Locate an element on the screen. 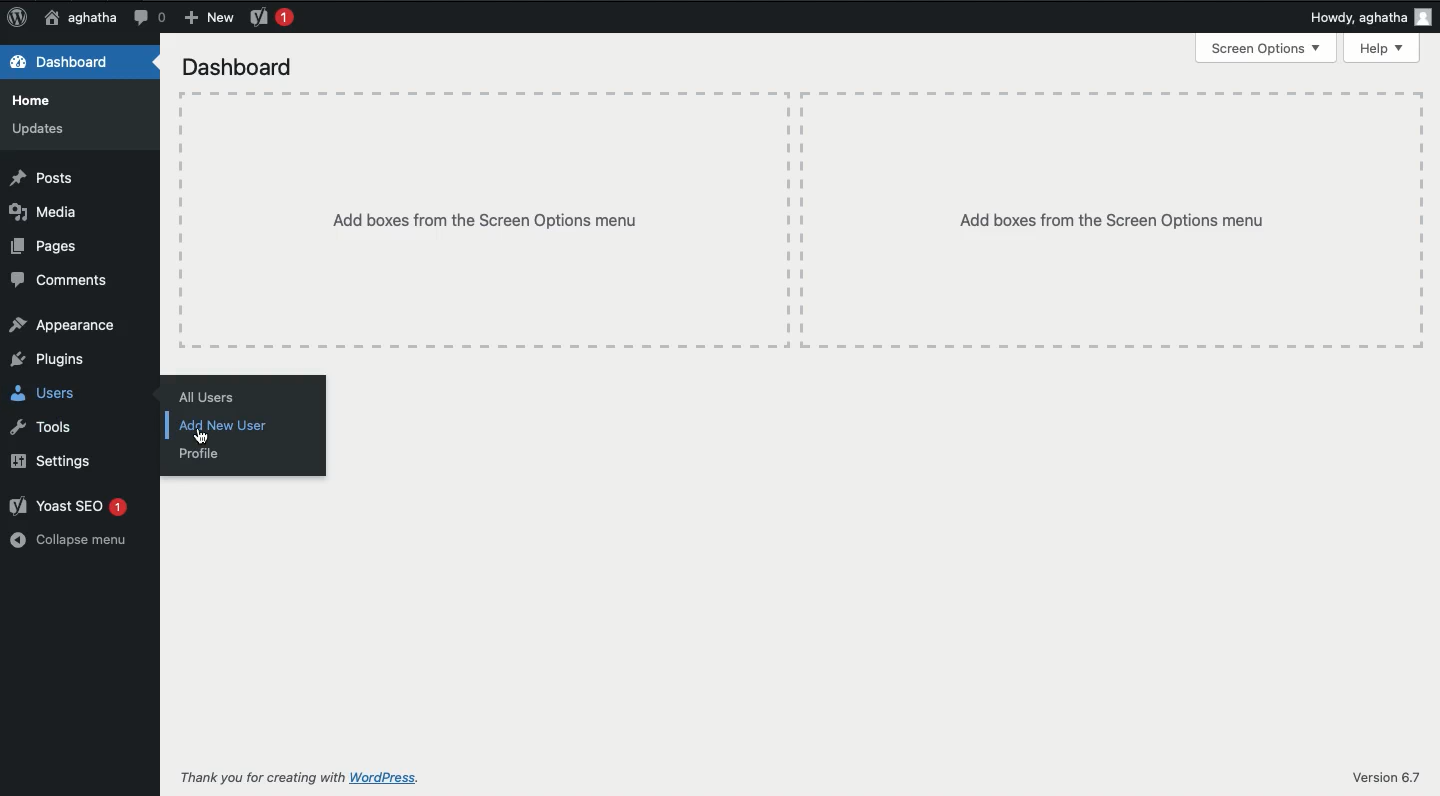  Updates is located at coordinates (40, 127).